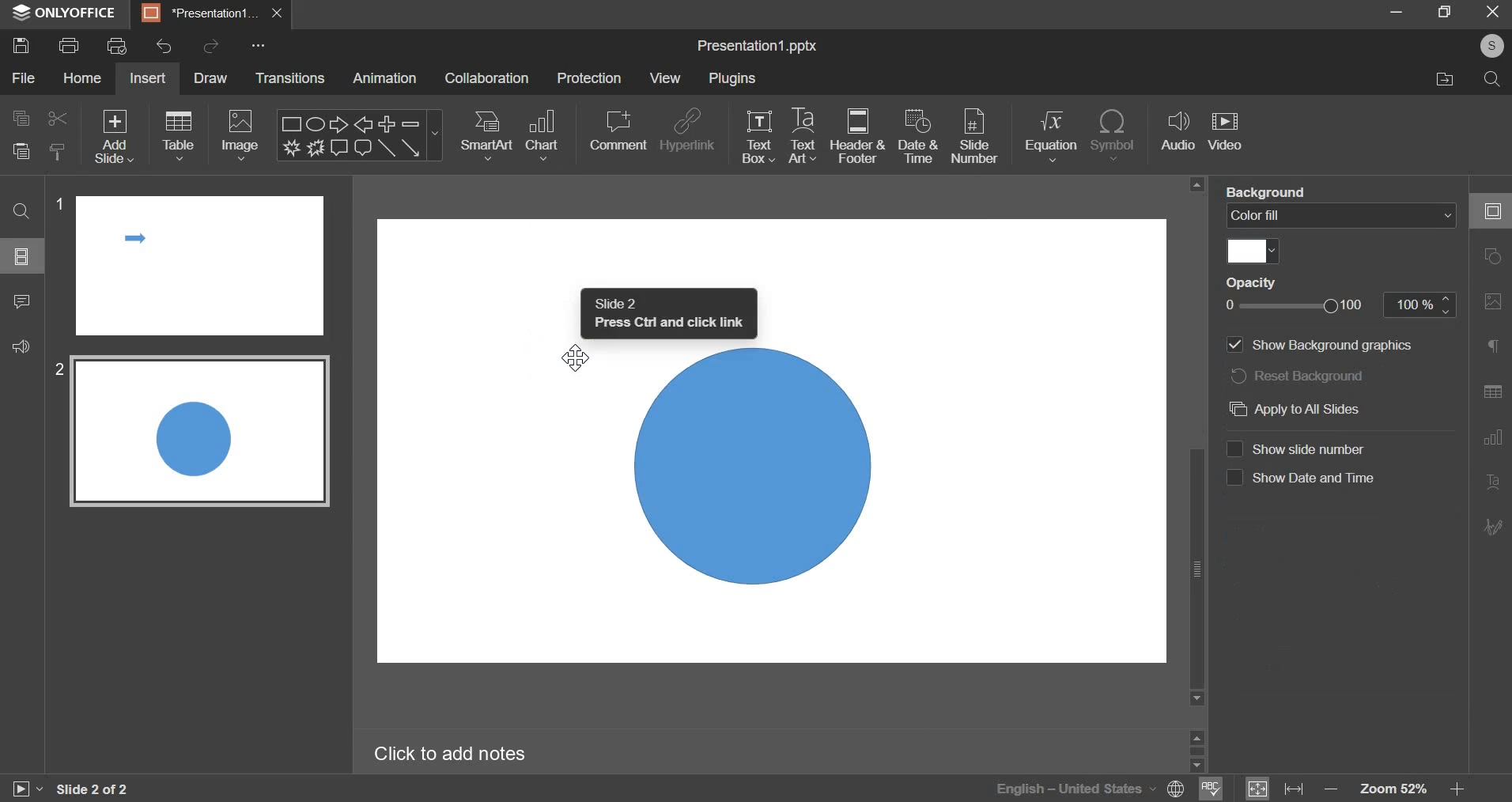 Image resolution: width=1512 pixels, height=802 pixels. I want to click on Shape settings, so click(1491, 255).